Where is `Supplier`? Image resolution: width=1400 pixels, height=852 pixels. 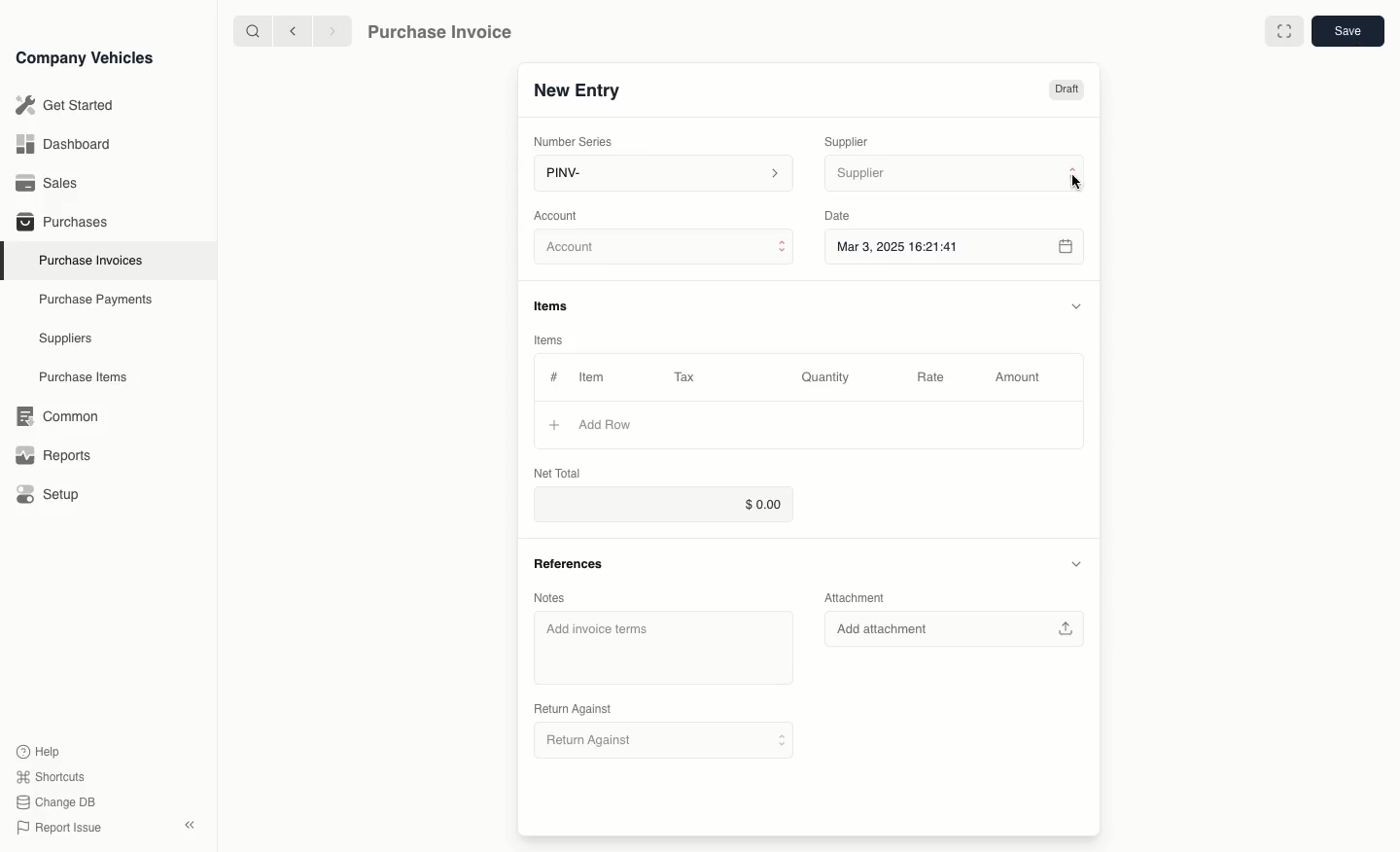
Supplier is located at coordinates (934, 171).